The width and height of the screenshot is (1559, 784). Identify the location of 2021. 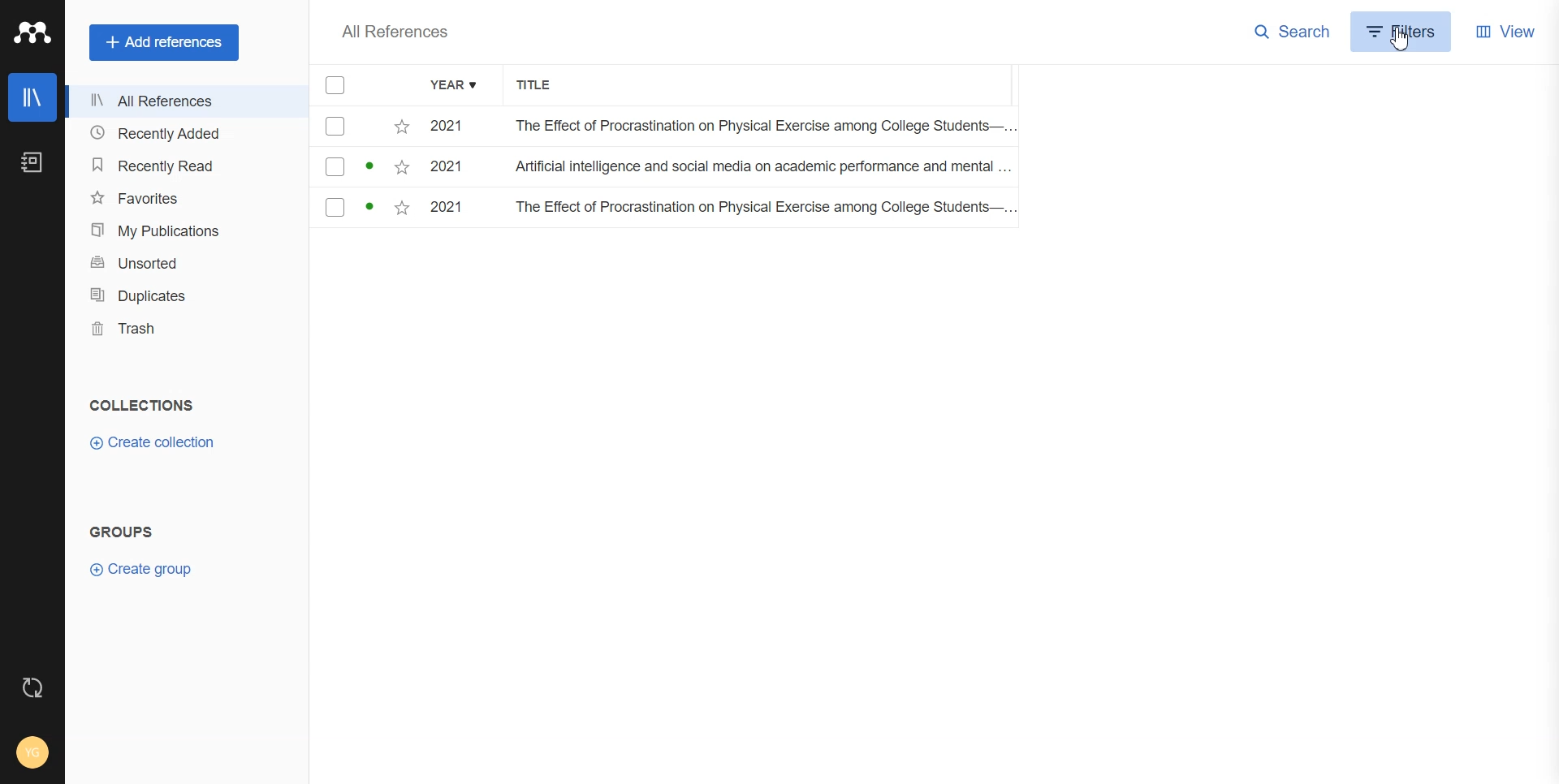
(453, 170).